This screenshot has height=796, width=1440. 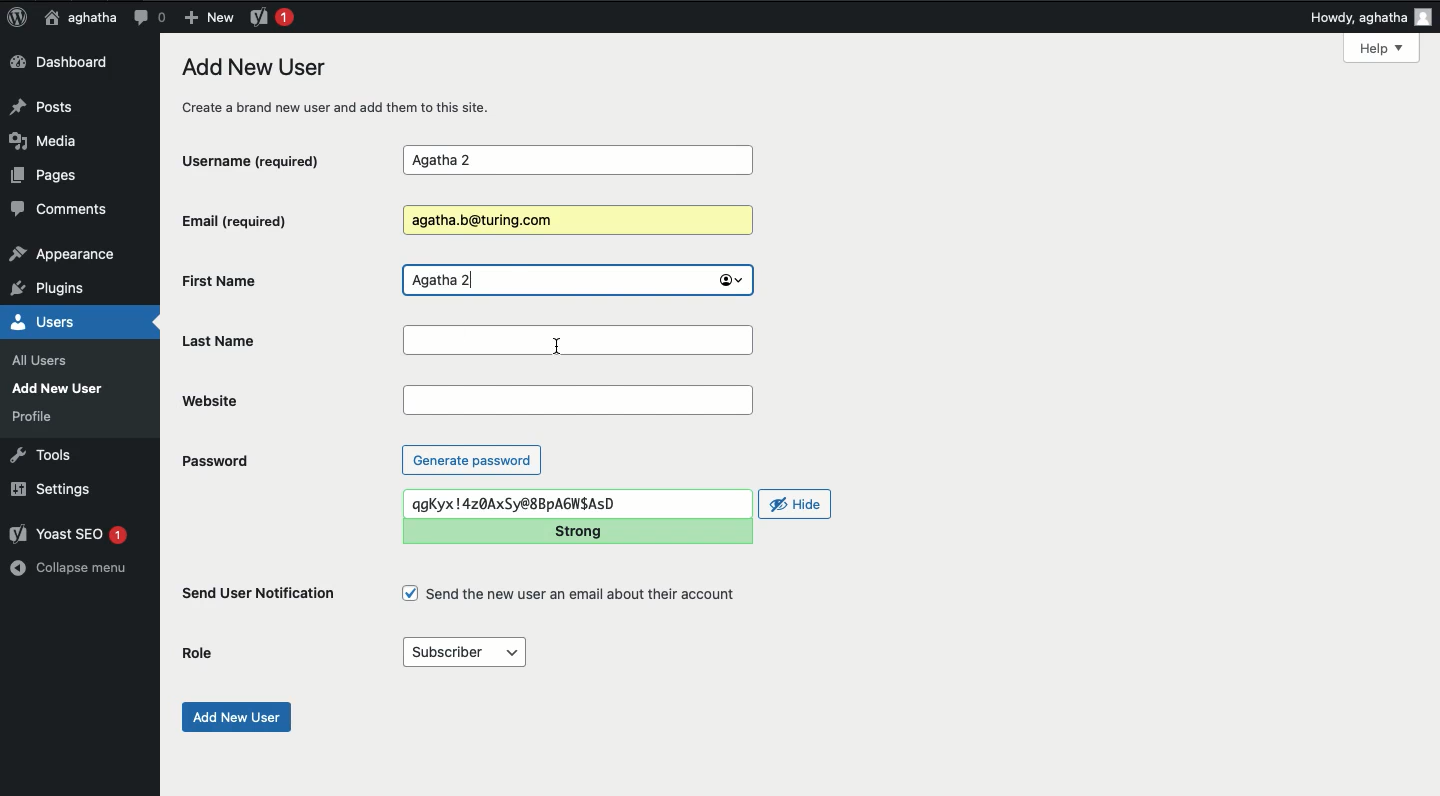 I want to click on Logo, so click(x=17, y=18).